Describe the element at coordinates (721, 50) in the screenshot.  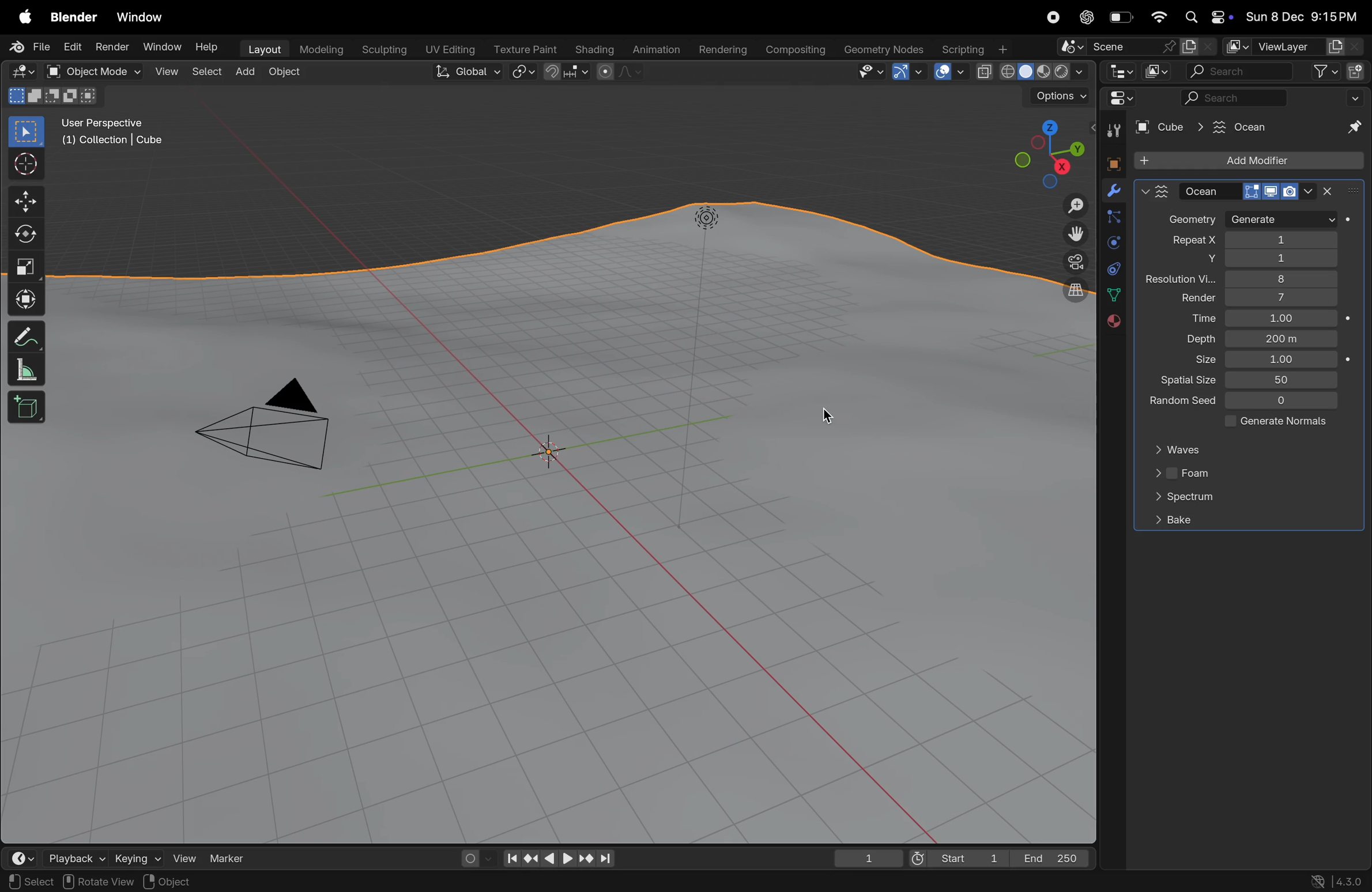
I see `rendering` at that location.